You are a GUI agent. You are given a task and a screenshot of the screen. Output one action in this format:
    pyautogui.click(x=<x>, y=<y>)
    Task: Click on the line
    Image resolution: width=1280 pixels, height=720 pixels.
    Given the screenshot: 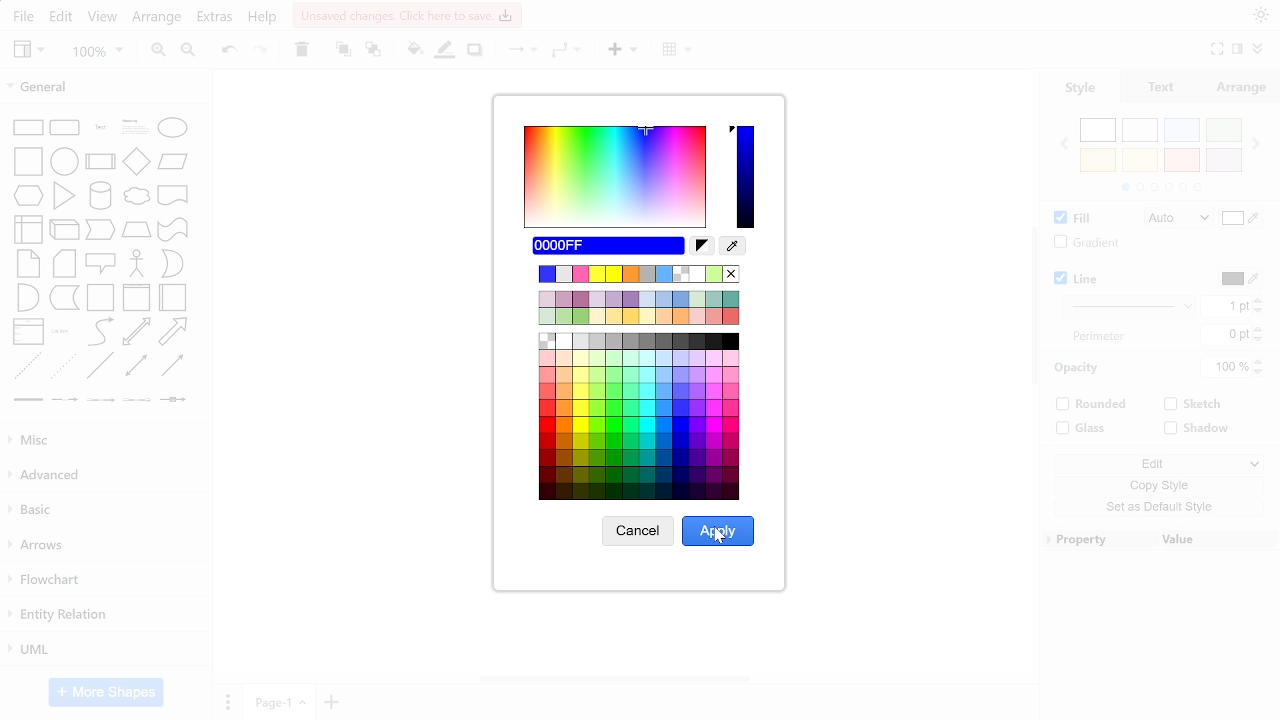 What is the action you would take?
    pyautogui.click(x=1080, y=280)
    